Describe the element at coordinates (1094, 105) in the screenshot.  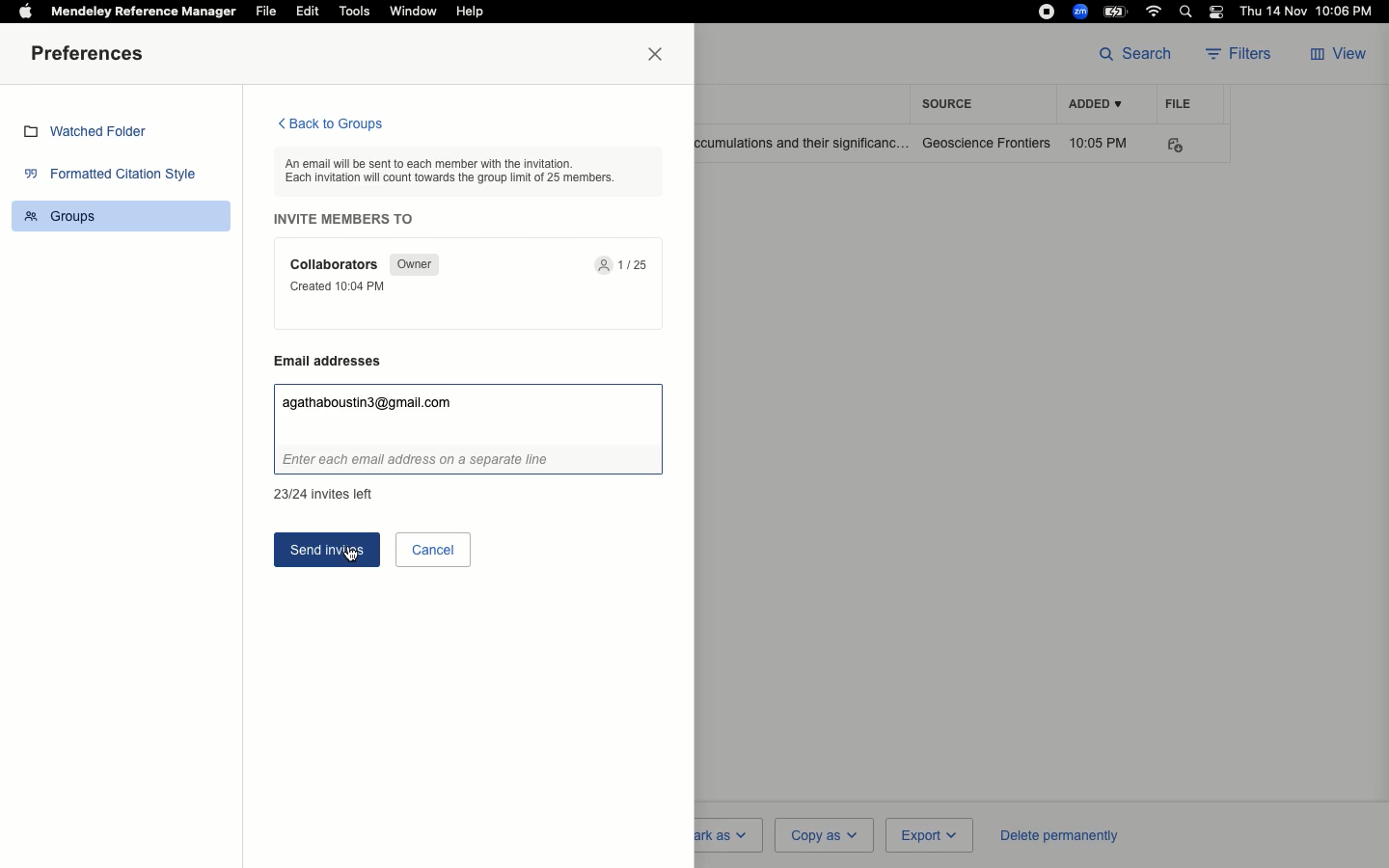
I see `Added` at that location.